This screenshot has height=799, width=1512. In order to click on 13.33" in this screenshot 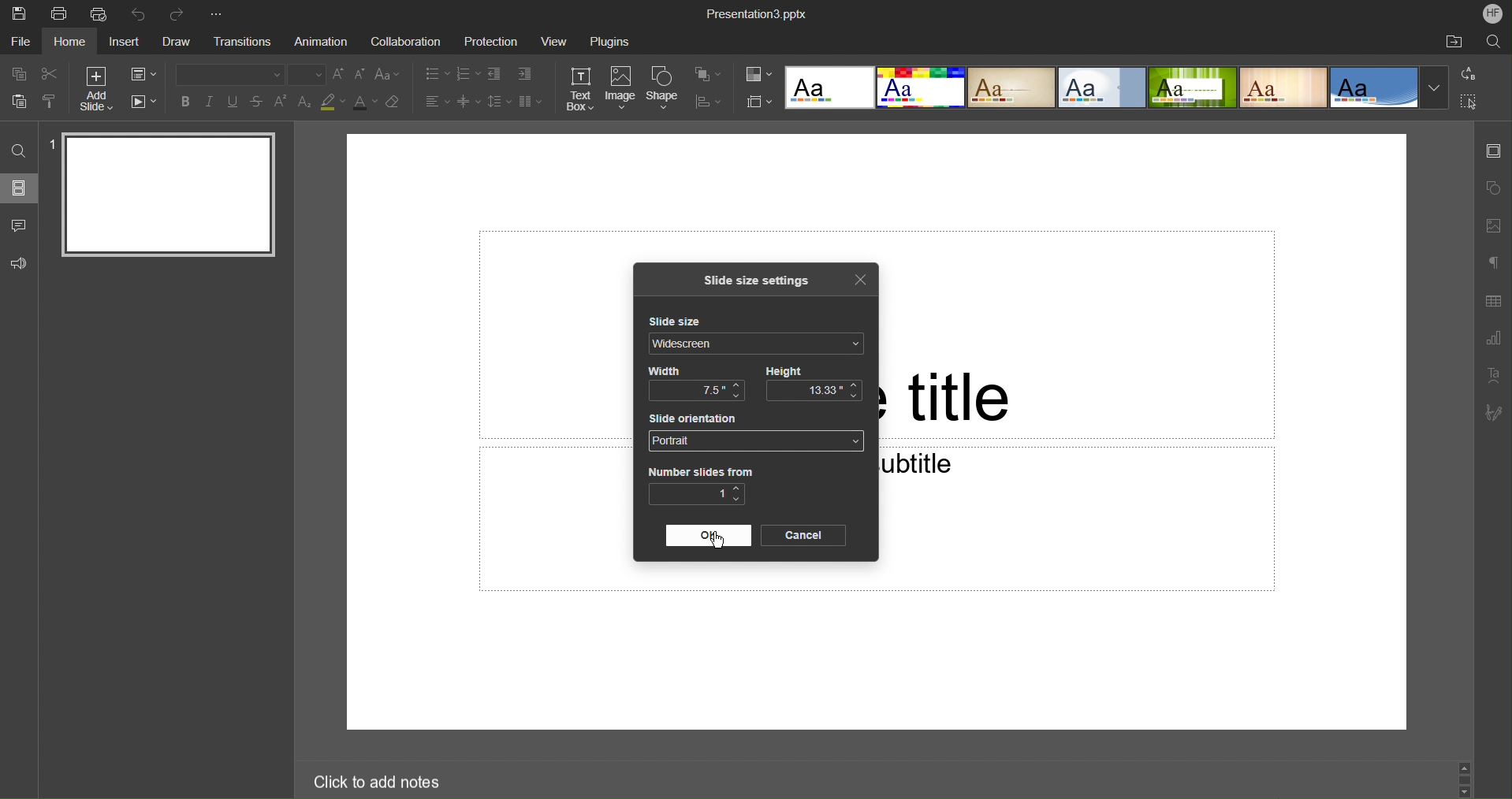, I will do `click(814, 391)`.